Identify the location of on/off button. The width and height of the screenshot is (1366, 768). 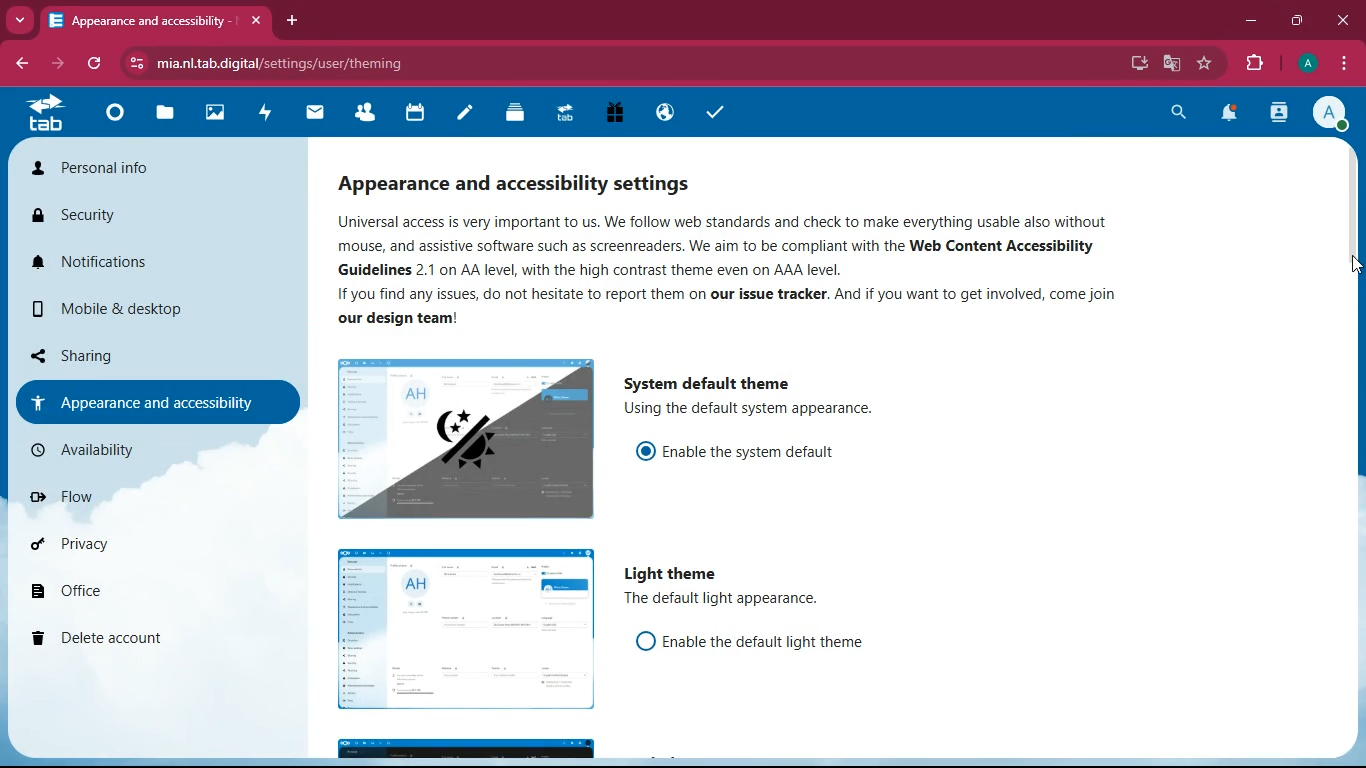
(642, 450).